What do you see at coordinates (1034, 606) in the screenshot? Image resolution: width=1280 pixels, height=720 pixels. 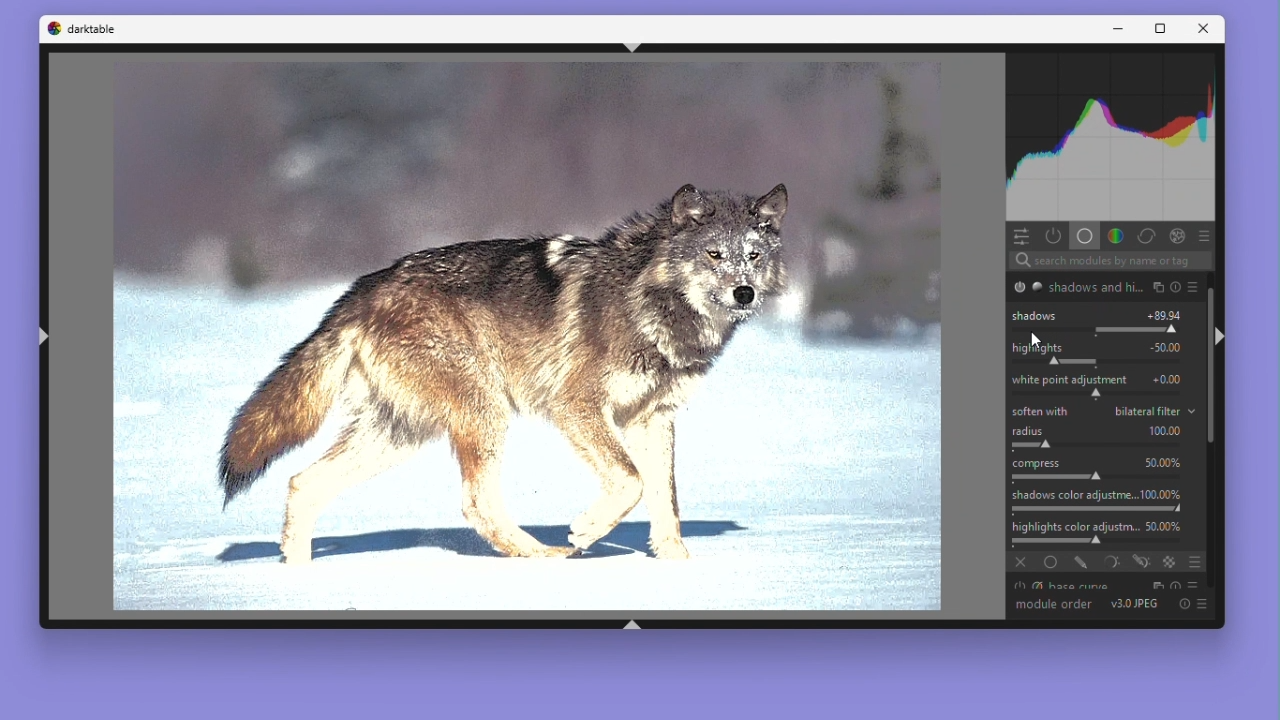 I see `Module order` at bounding box center [1034, 606].